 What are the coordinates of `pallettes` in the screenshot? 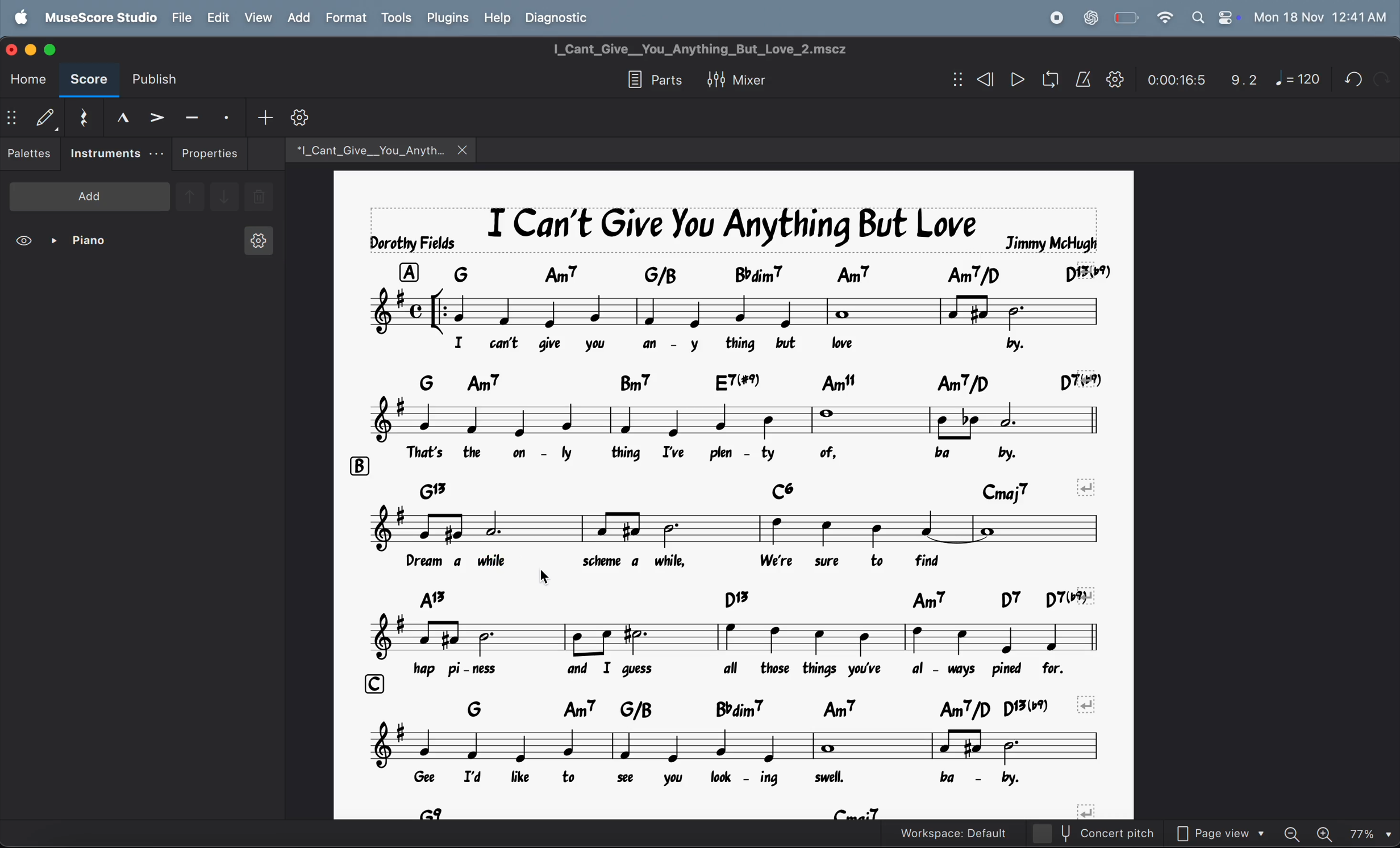 It's located at (30, 154).